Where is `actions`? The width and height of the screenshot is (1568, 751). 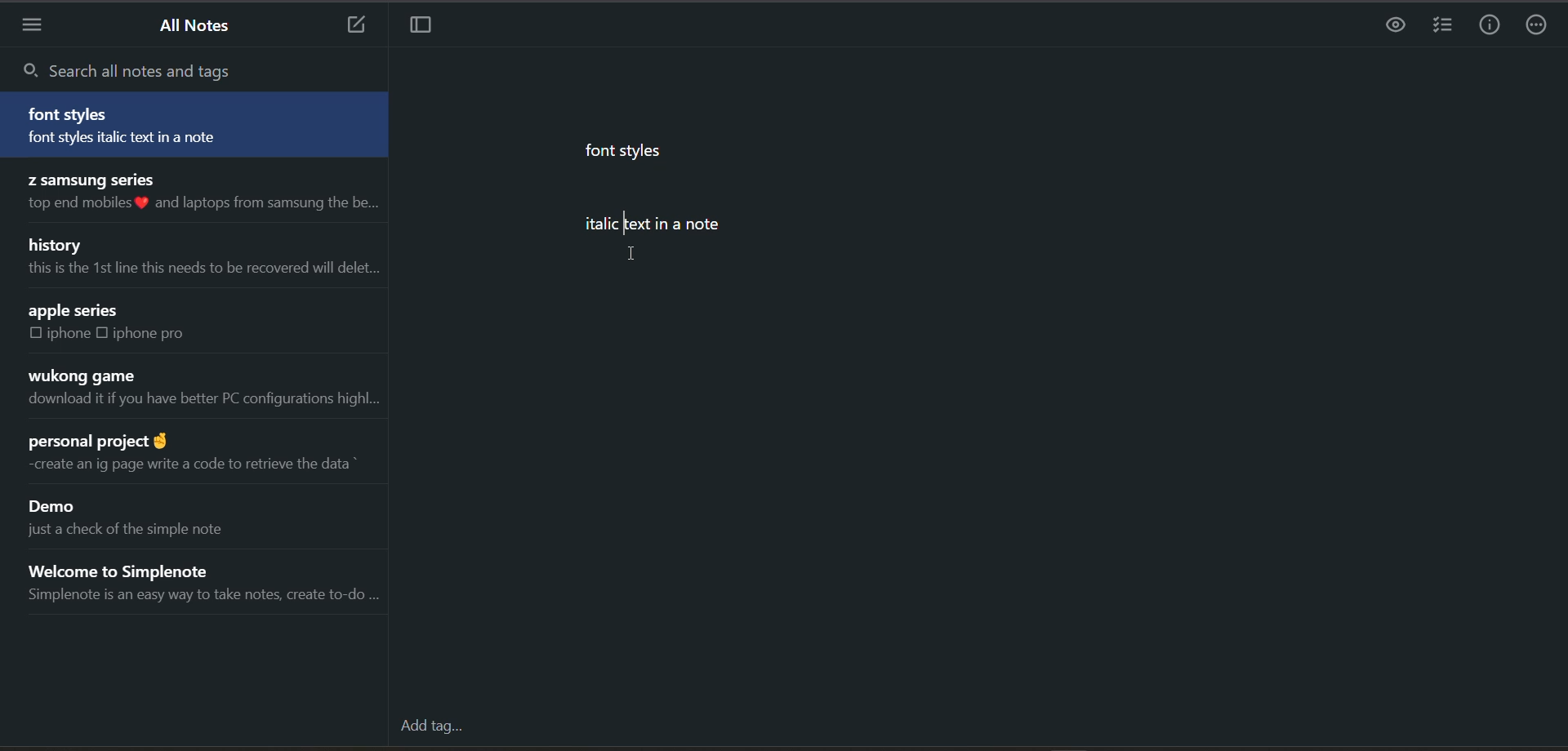
actions is located at coordinates (1541, 23).